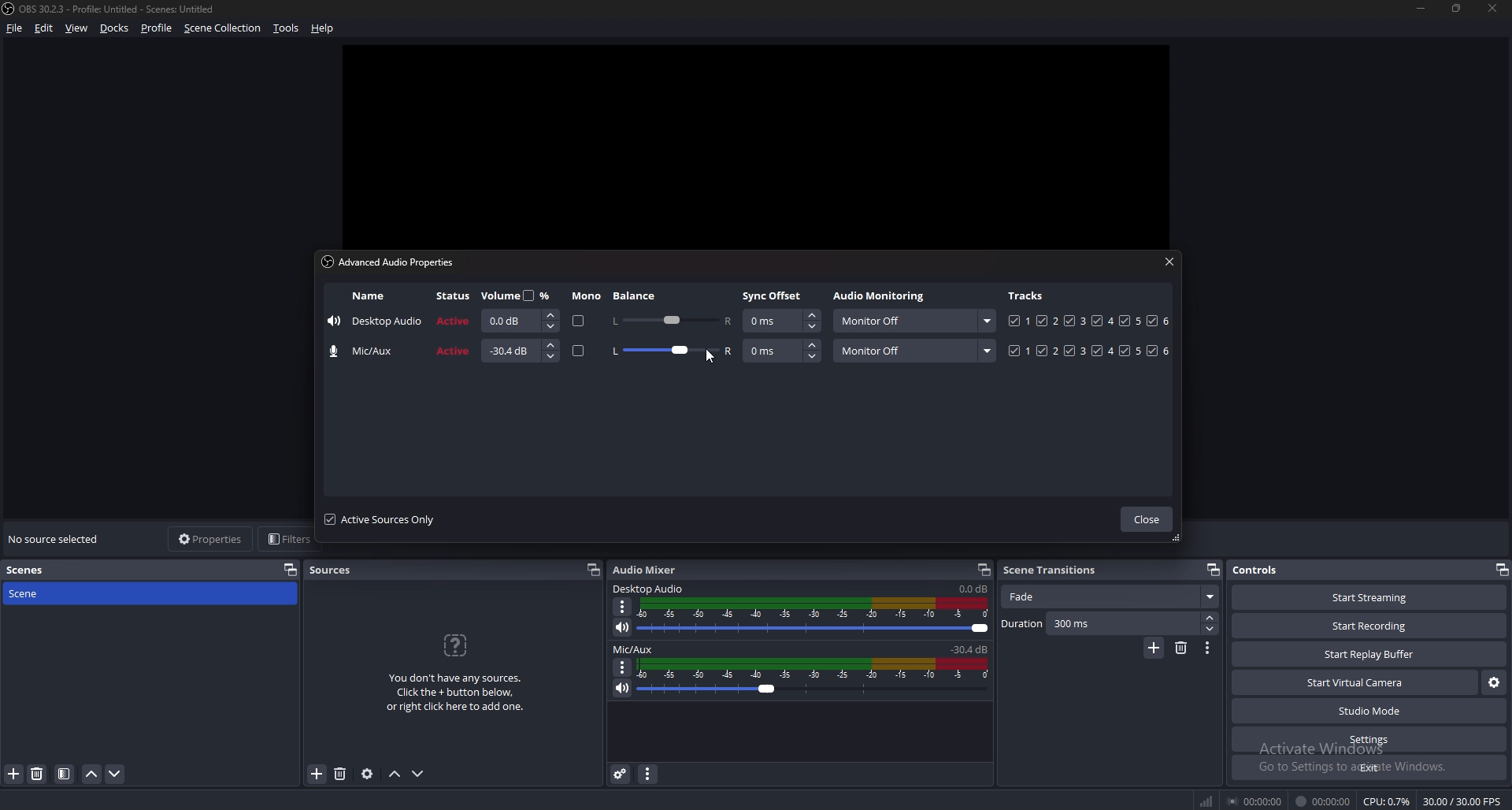 The width and height of the screenshot is (1512, 810). Describe the element at coordinates (623, 667) in the screenshot. I see `options` at that location.